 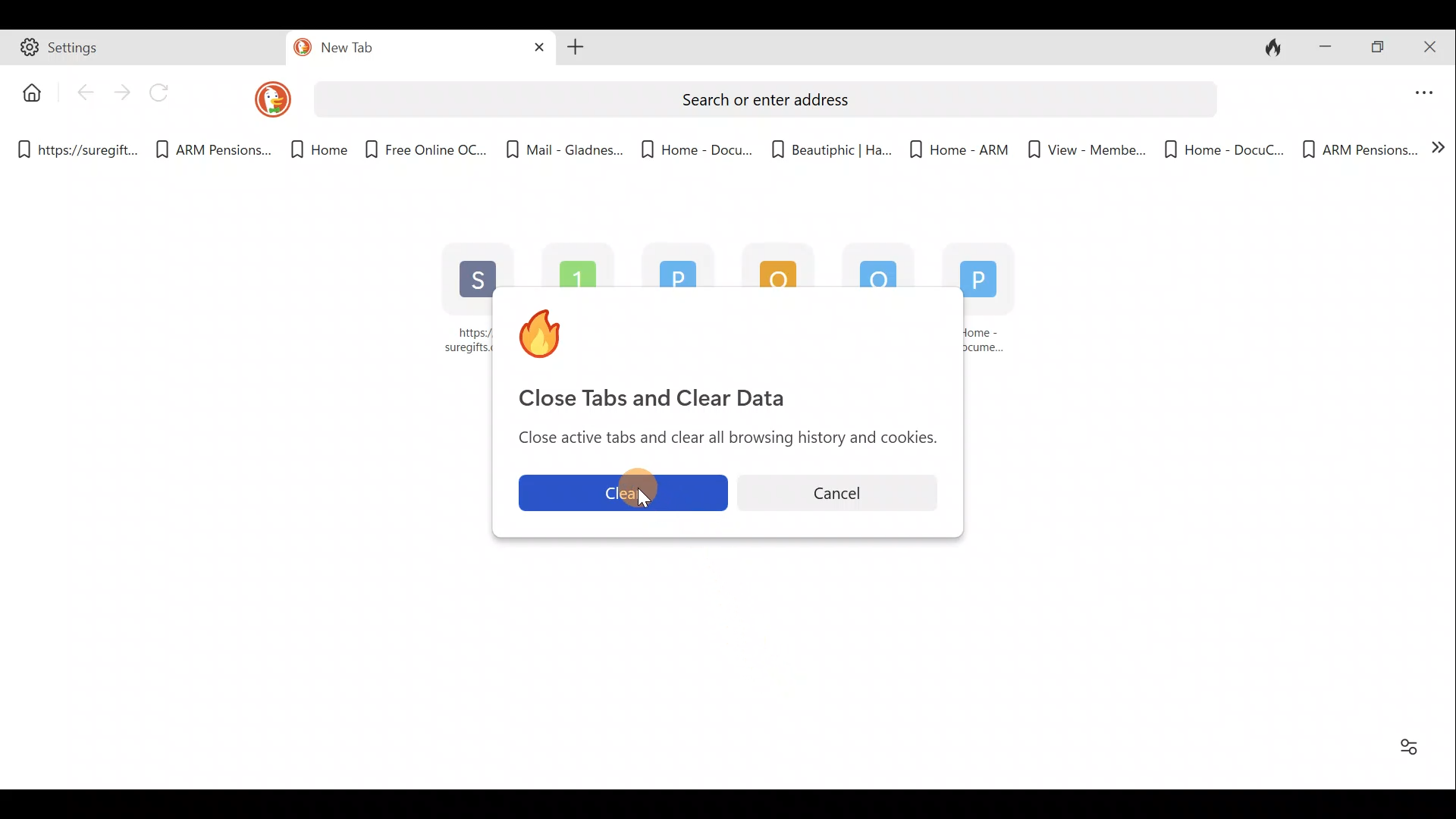 I want to click on Mail -
Gladnes..., so click(x=869, y=264).